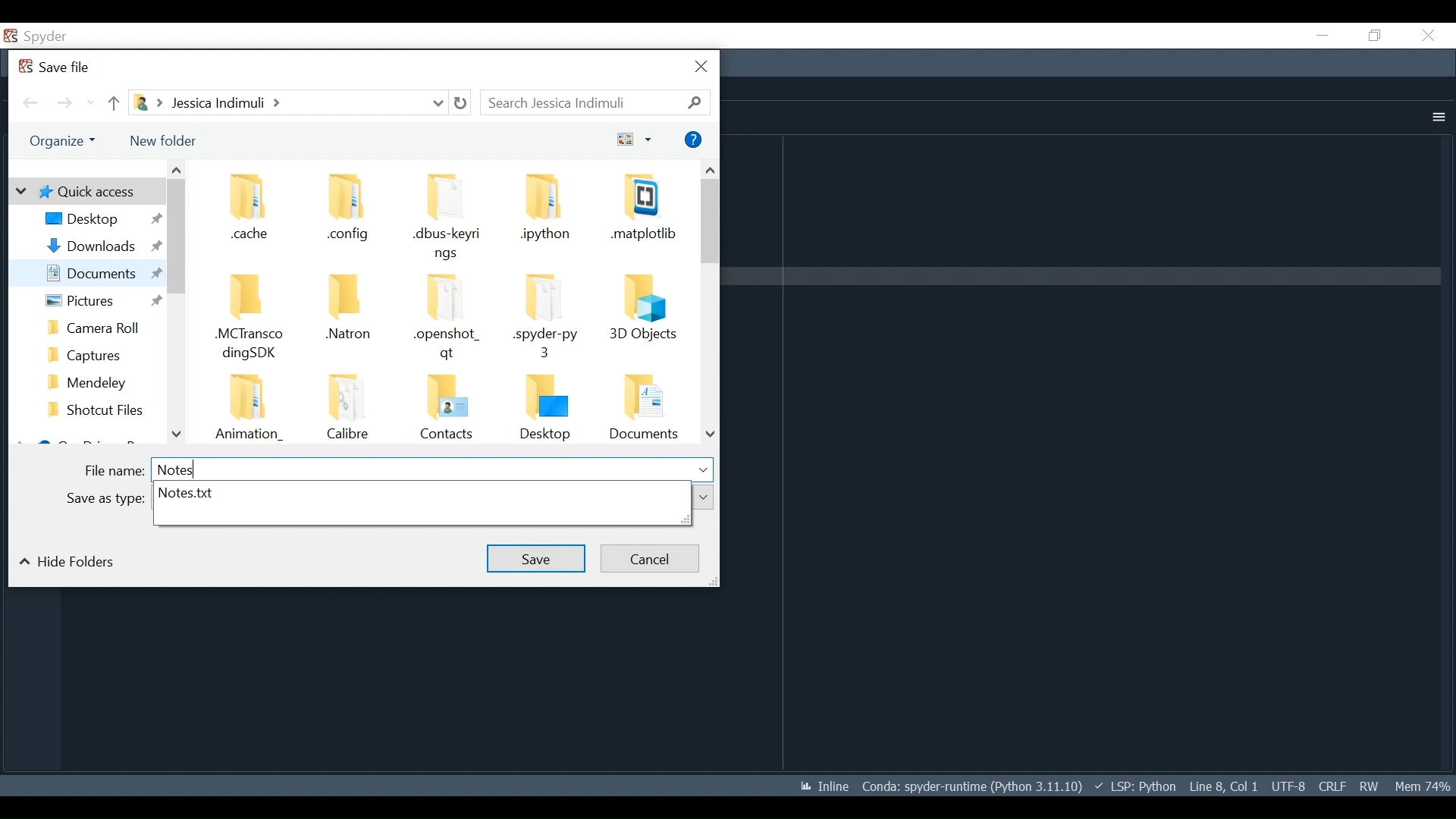  Describe the element at coordinates (635, 140) in the screenshot. I see `Change your view` at that location.